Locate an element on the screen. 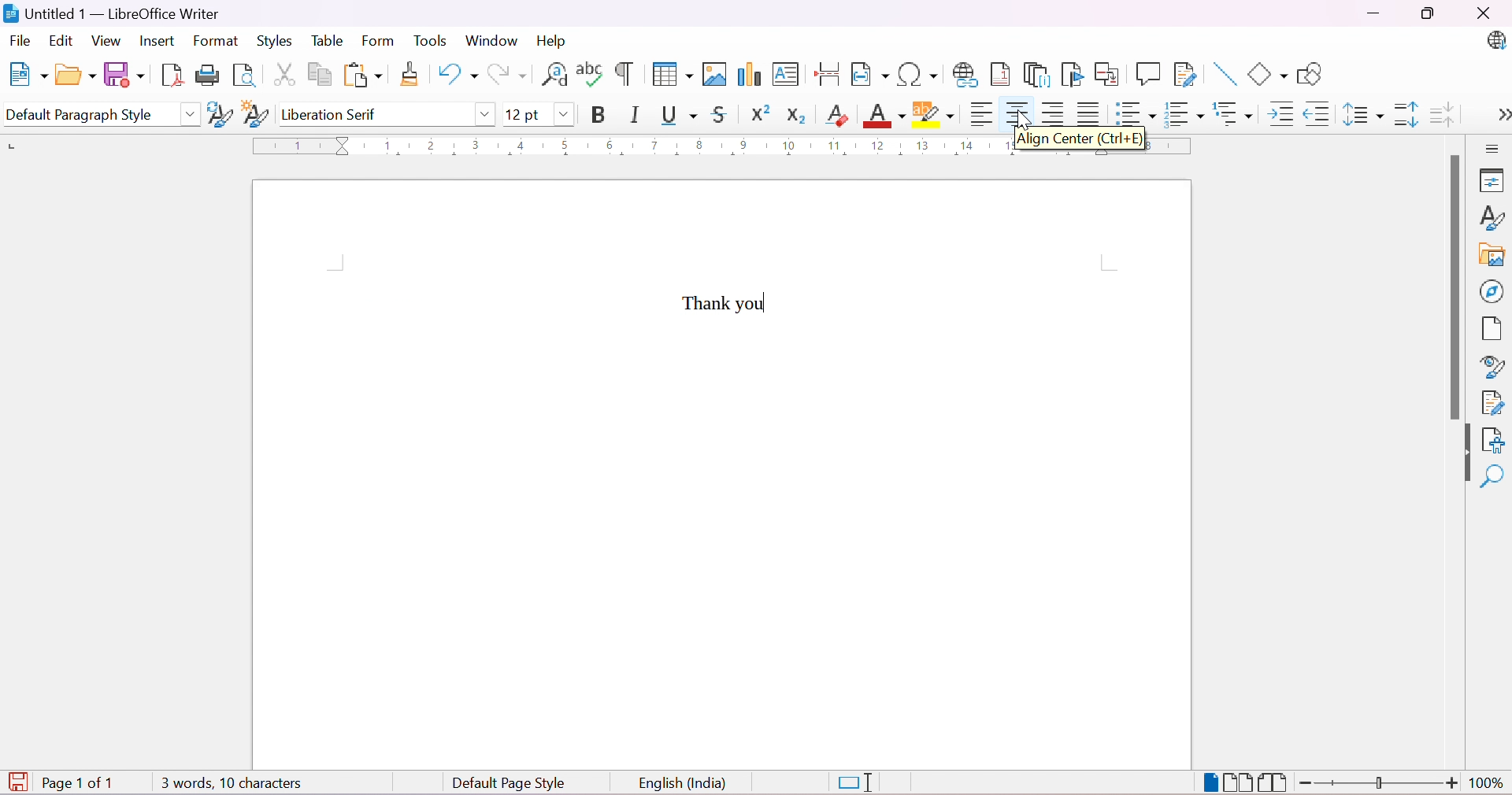 The image size is (1512, 795). Check Spelling is located at coordinates (589, 75).